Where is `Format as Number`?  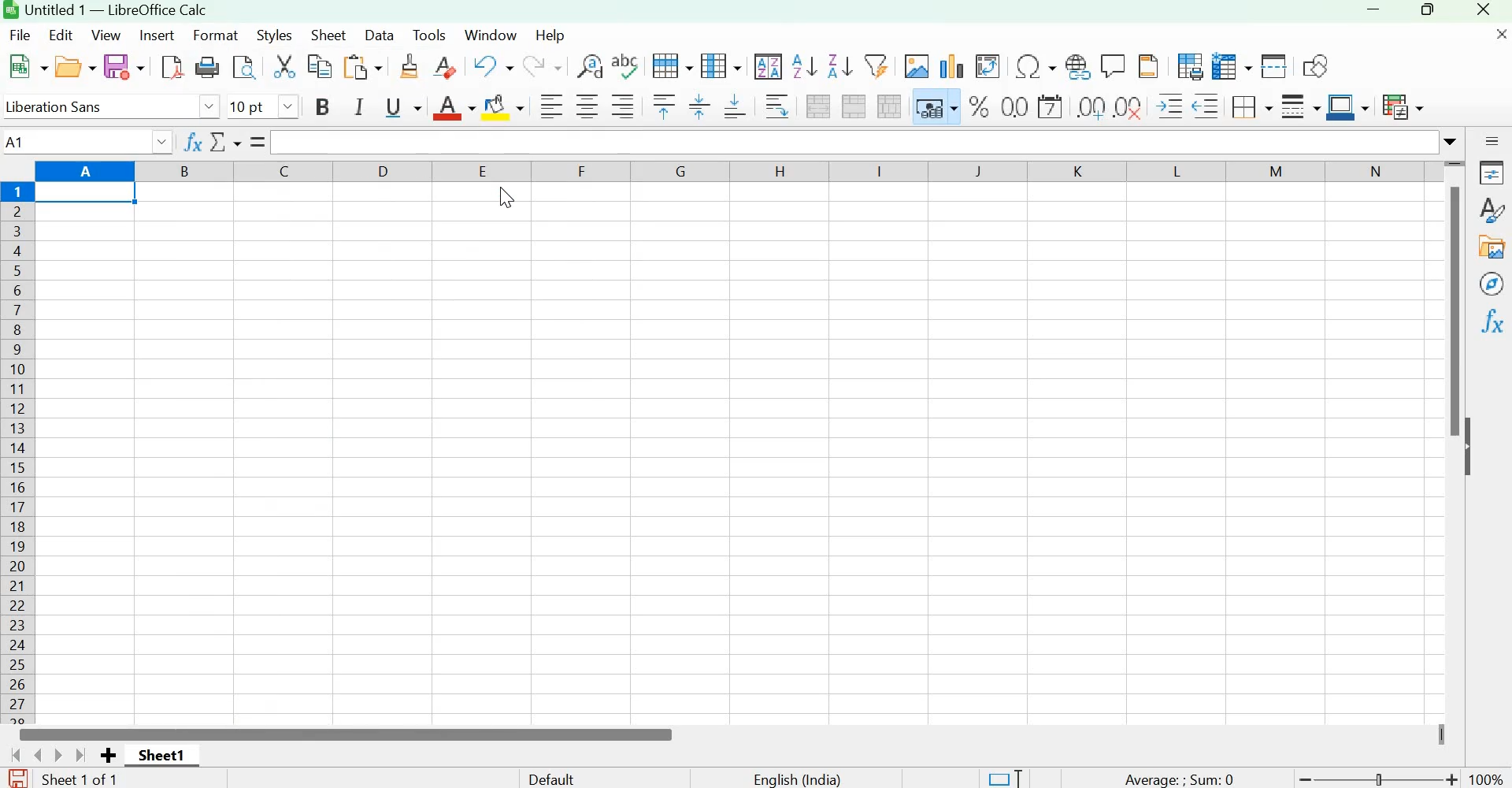 Format as Number is located at coordinates (1015, 107).